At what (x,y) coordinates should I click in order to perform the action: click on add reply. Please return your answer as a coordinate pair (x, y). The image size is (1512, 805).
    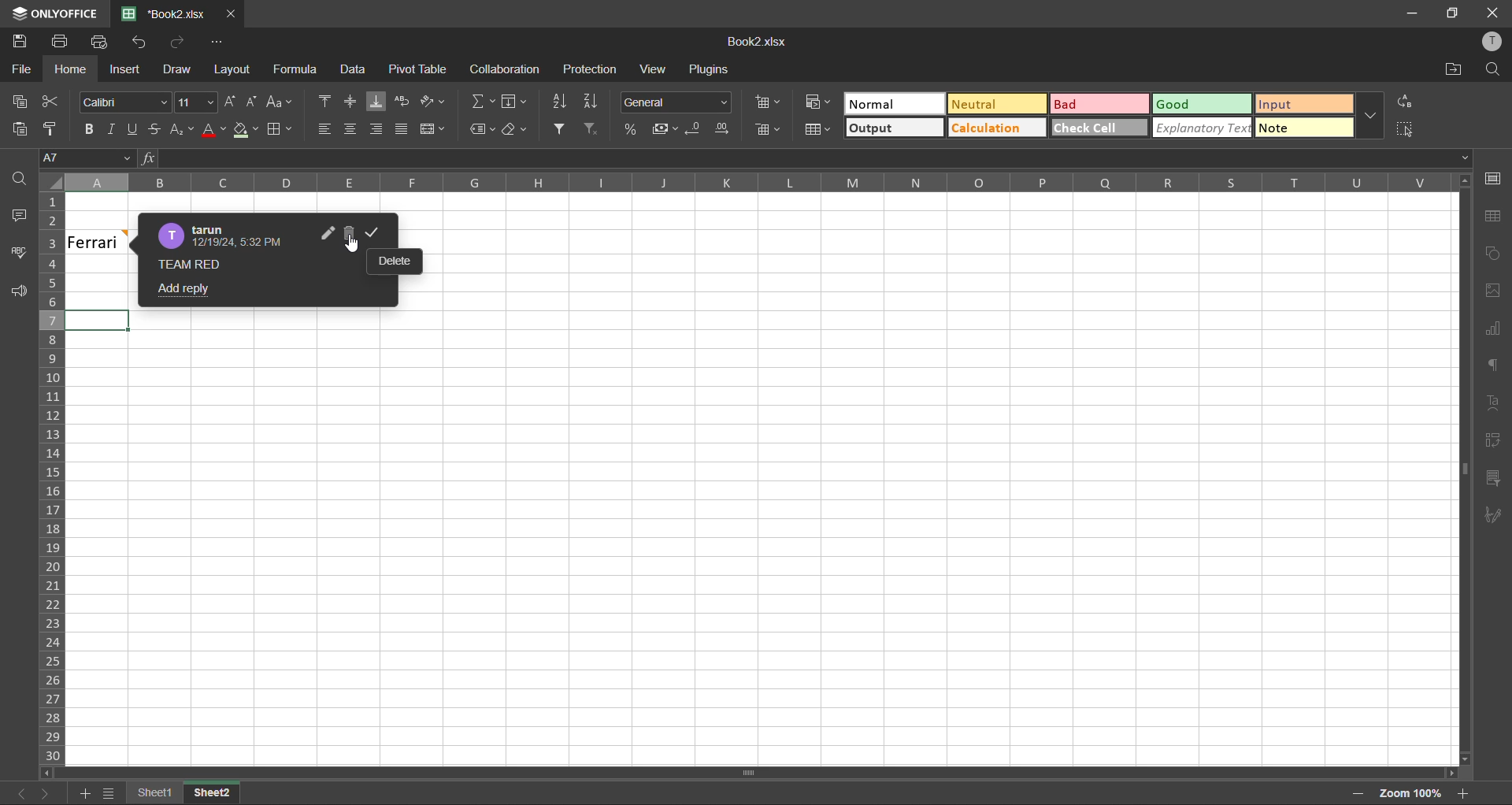
    Looking at the image, I should click on (181, 291).